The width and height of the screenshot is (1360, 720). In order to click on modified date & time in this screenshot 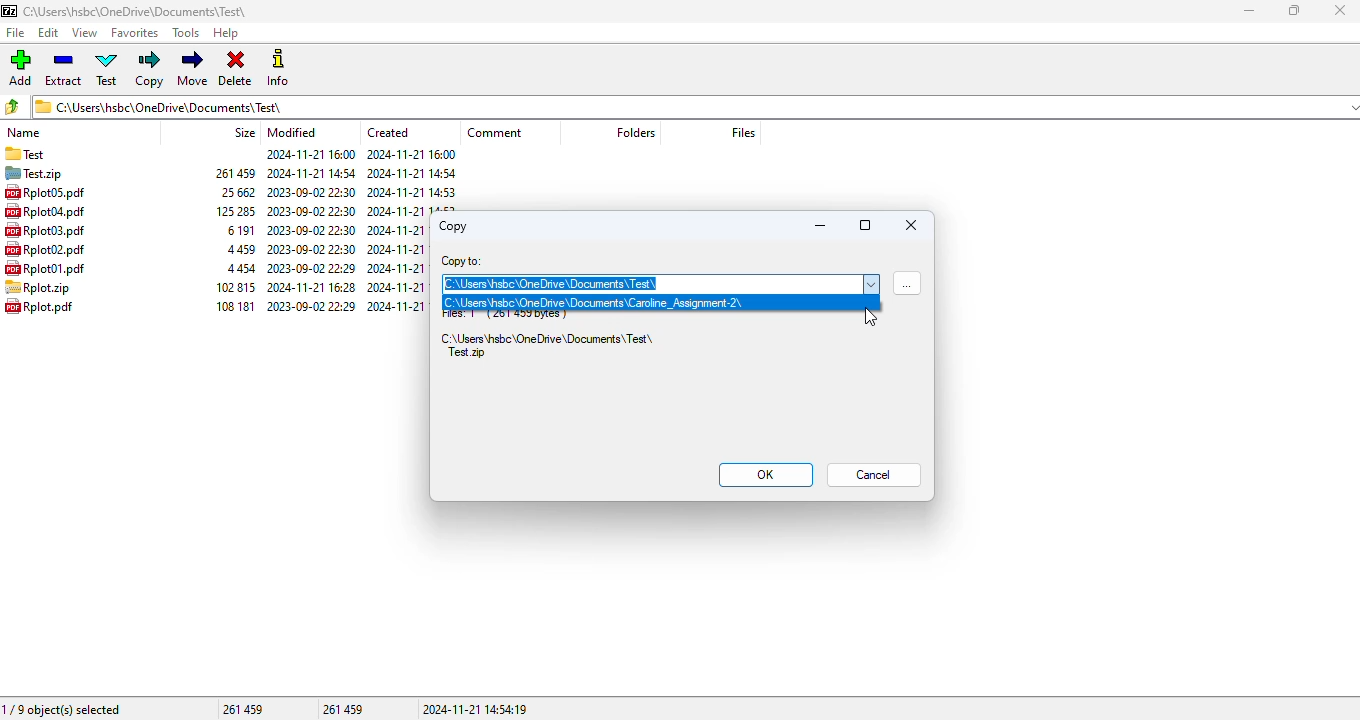, I will do `click(311, 287)`.